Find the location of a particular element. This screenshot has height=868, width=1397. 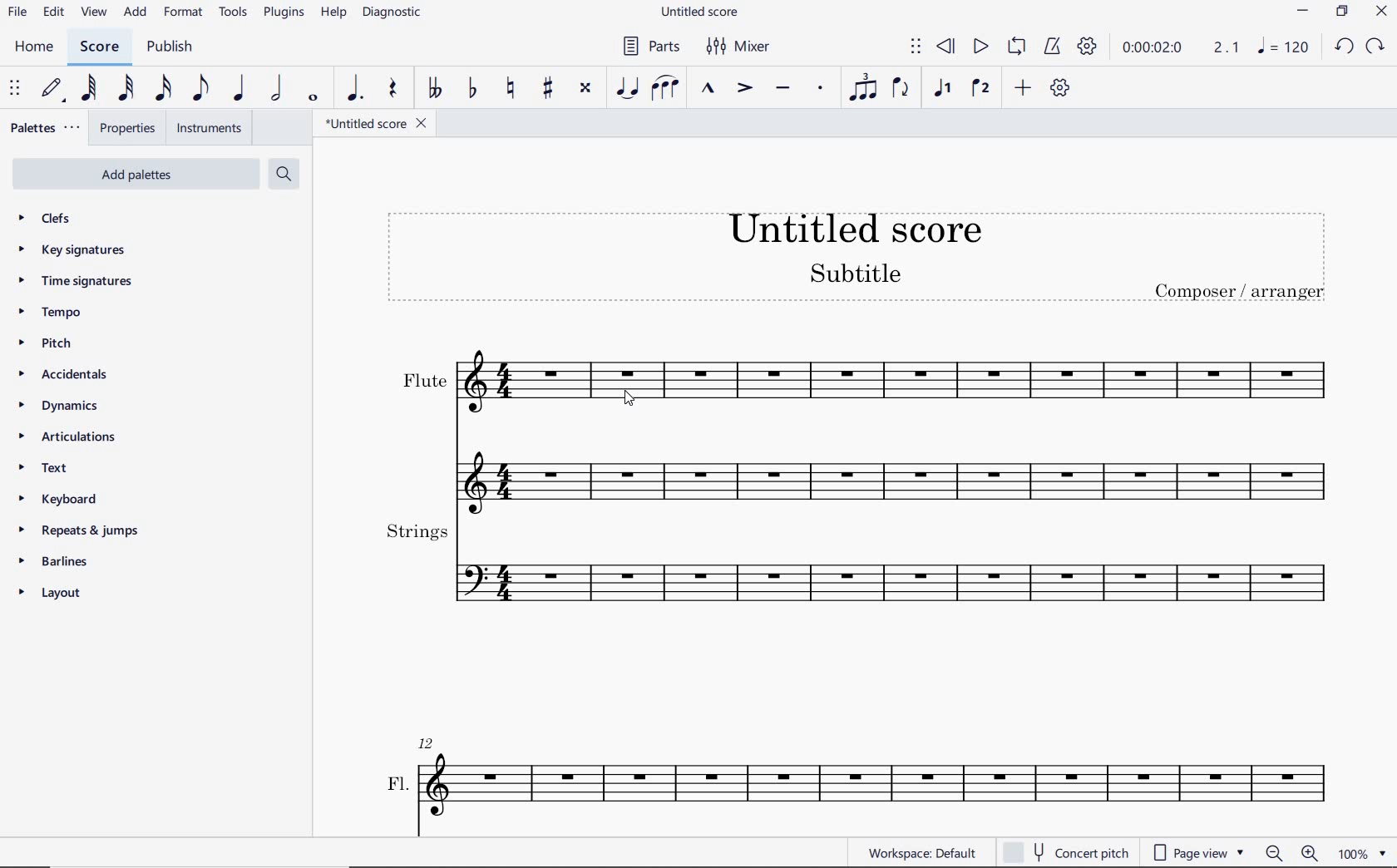

AUGMENTATION DOT is located at coordinates (355, 89).